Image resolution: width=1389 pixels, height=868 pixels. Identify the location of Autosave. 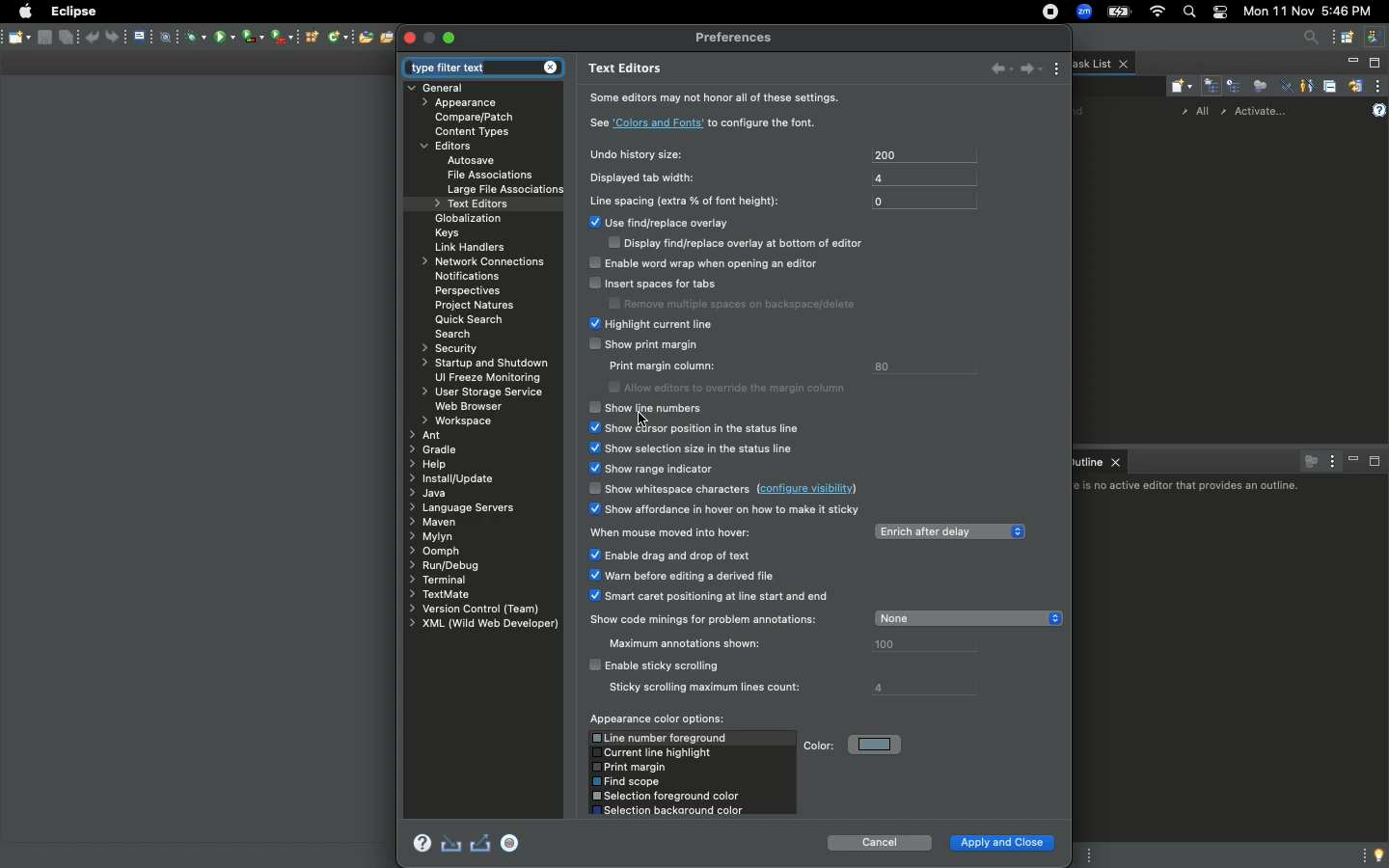
(487, 160).